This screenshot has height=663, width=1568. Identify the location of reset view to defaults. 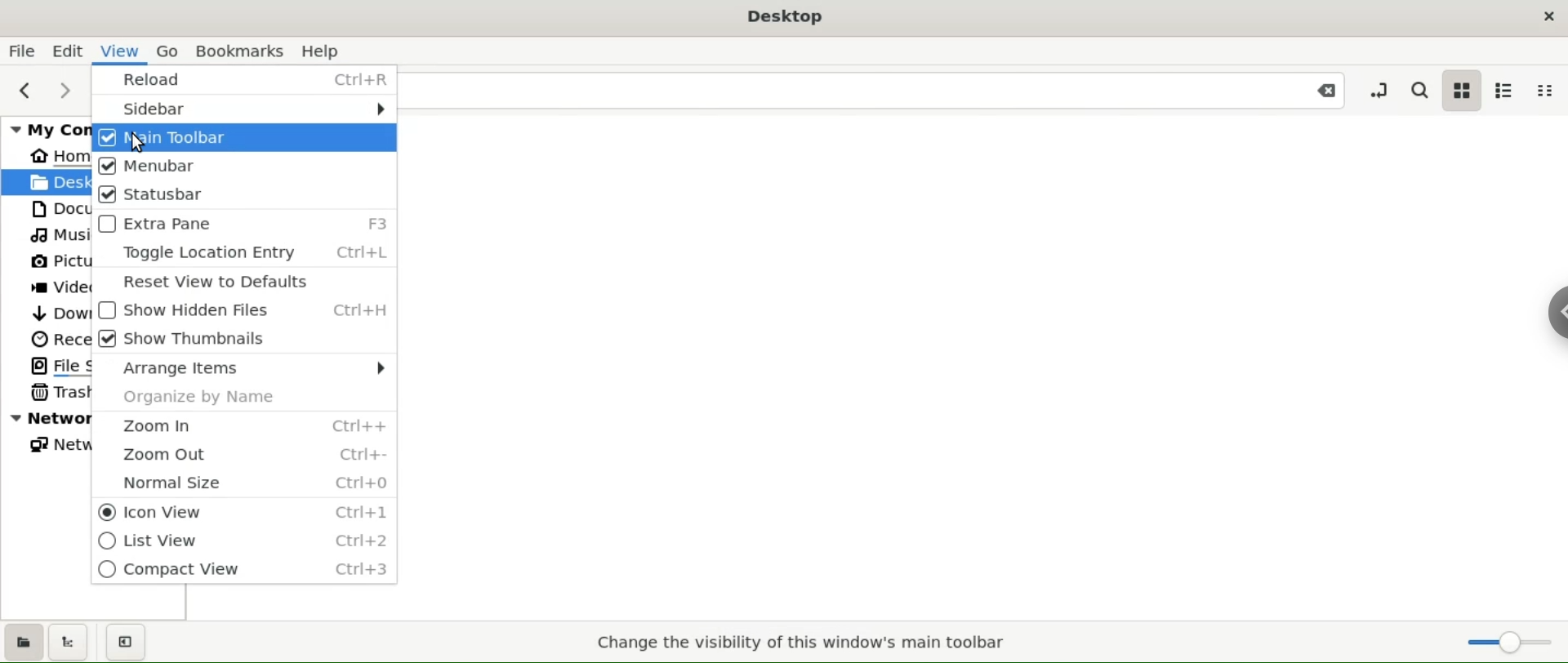
(245, 280).